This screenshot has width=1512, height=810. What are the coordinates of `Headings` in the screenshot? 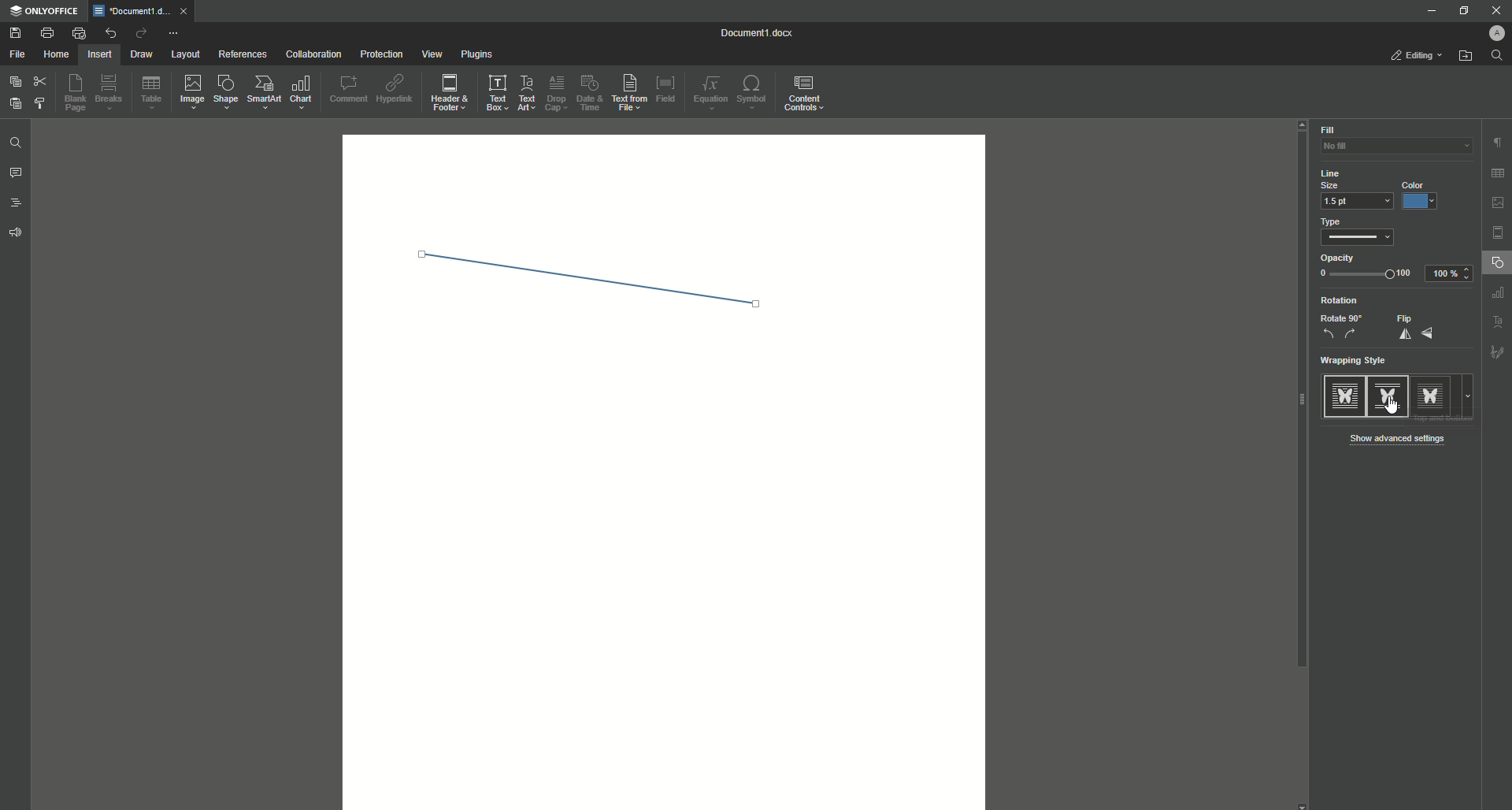 It's located at (17, 205).